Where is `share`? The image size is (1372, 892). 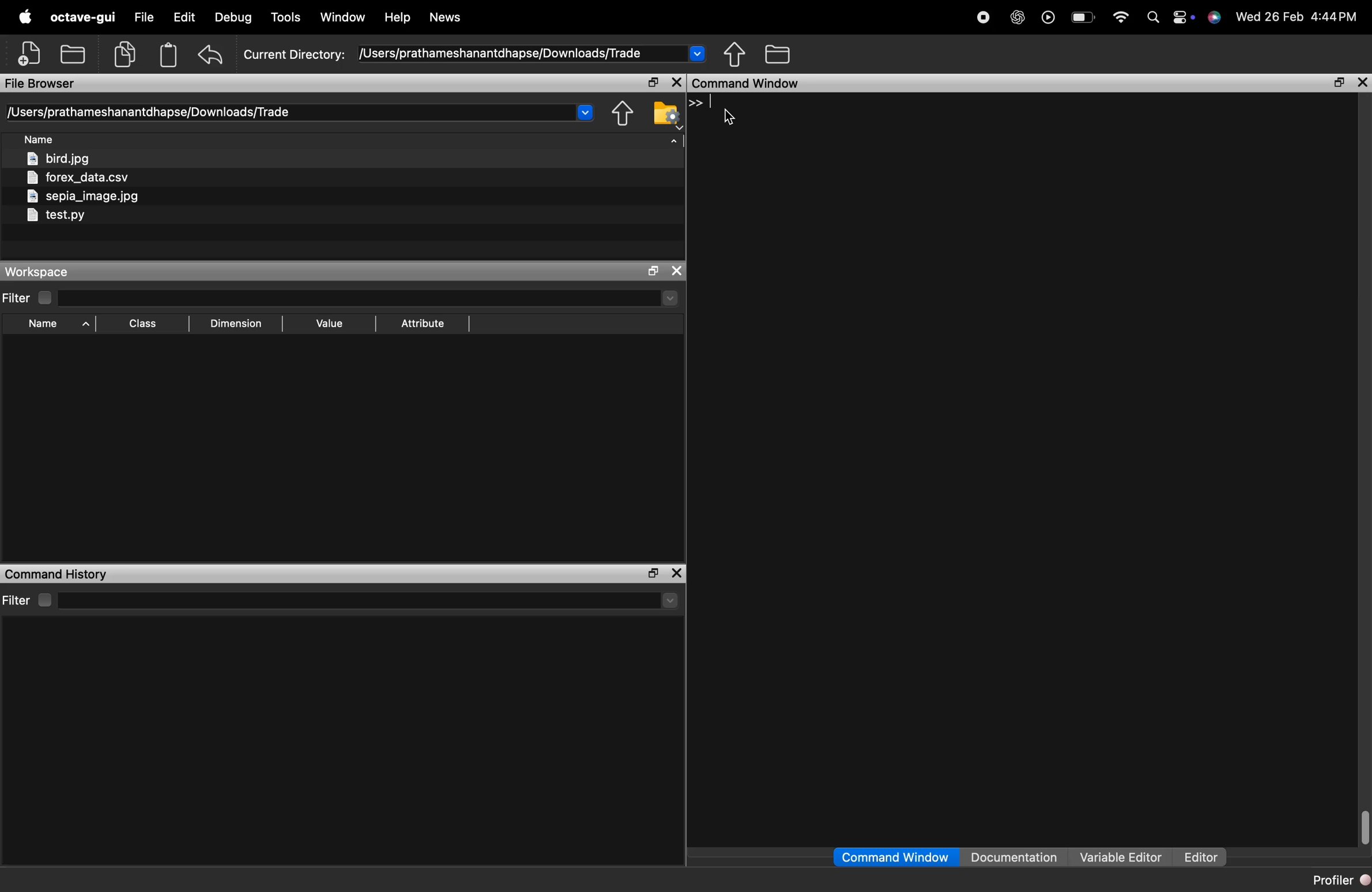 share is located at coordinates (735, 54).